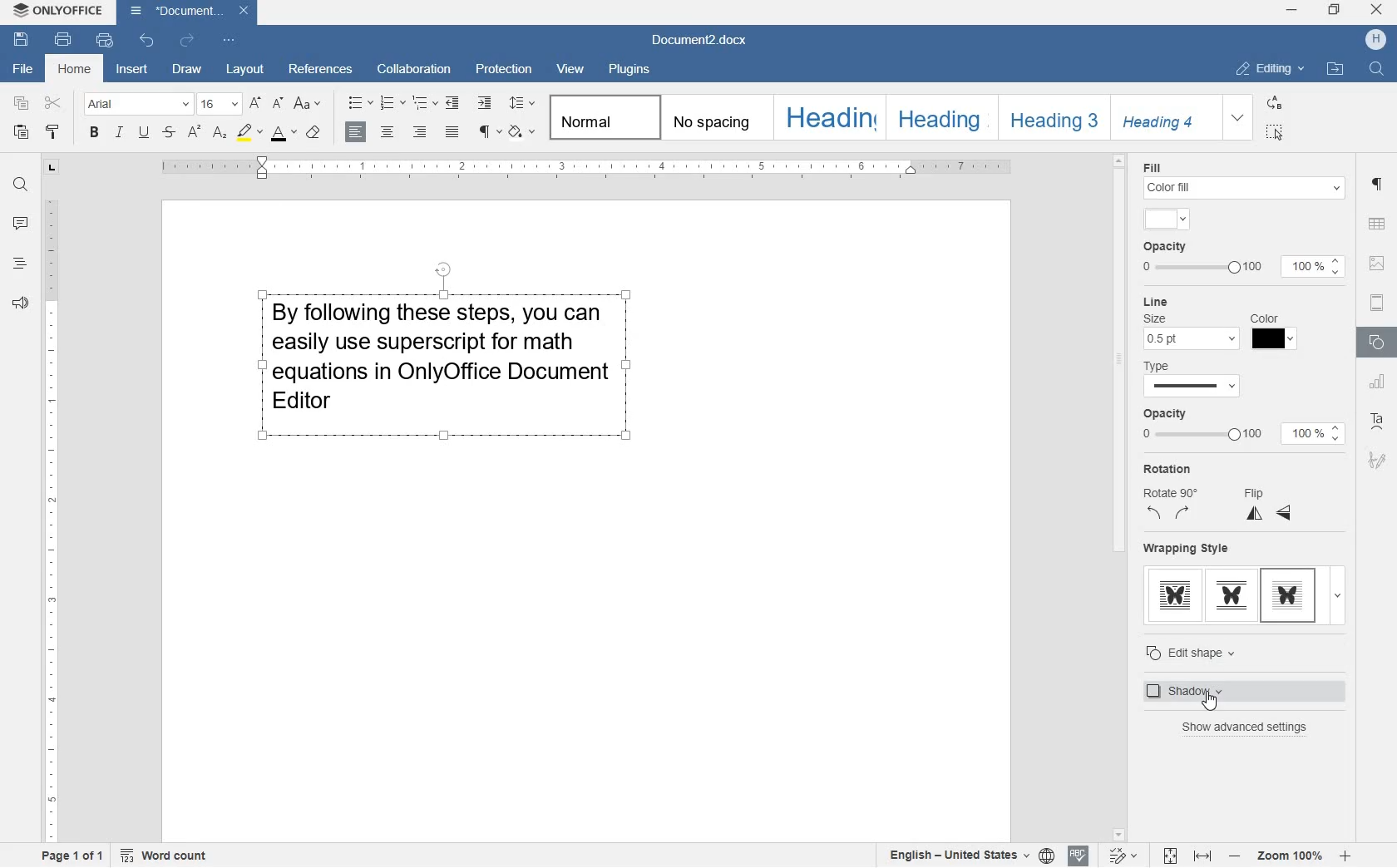  What do you see at coordinates (485, 103) in the screenshot?
I see `increase indent` at bounding box center [485, 103].